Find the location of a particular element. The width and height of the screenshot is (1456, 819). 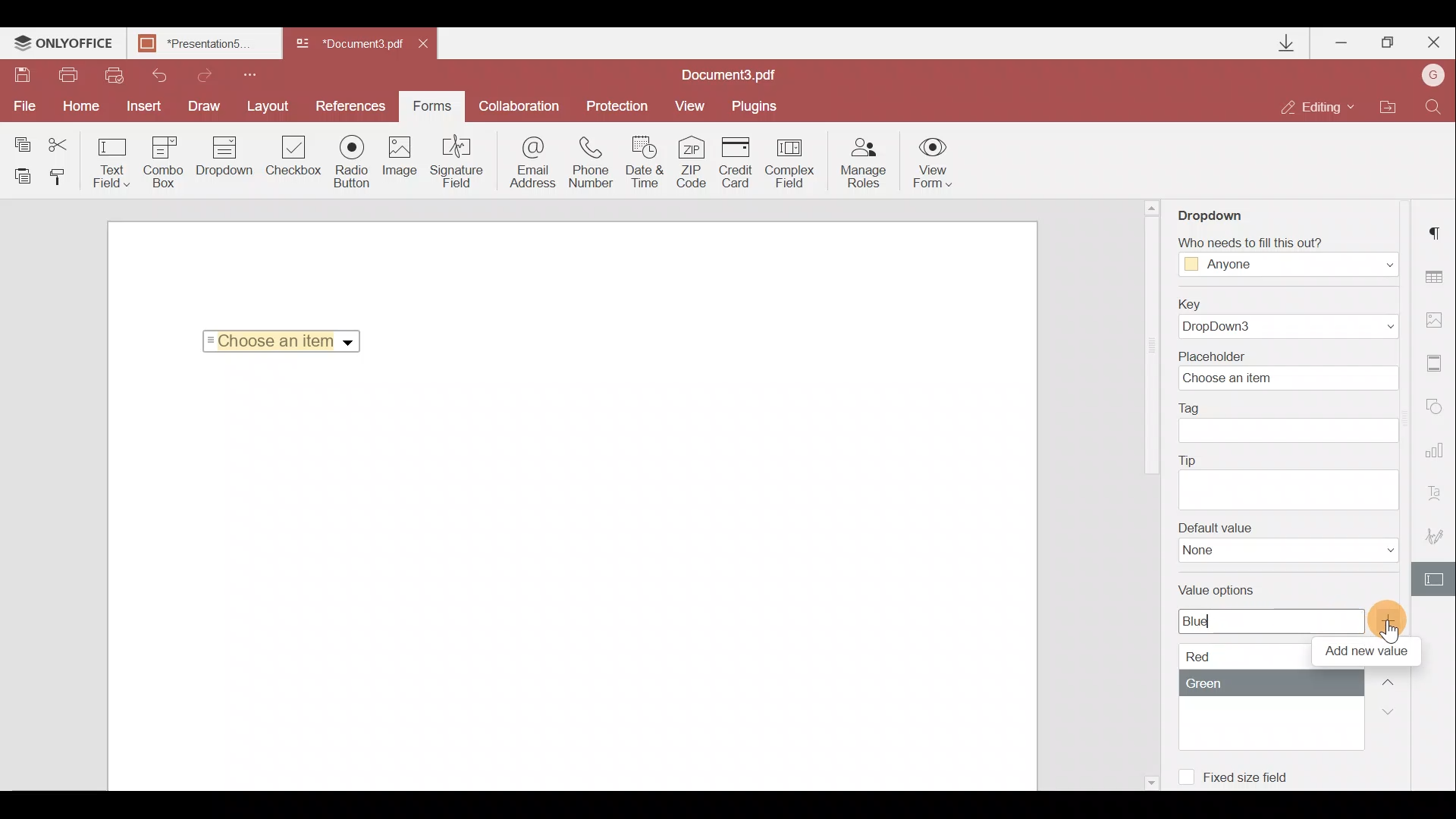

Cut is located at coordinates (60, 140).